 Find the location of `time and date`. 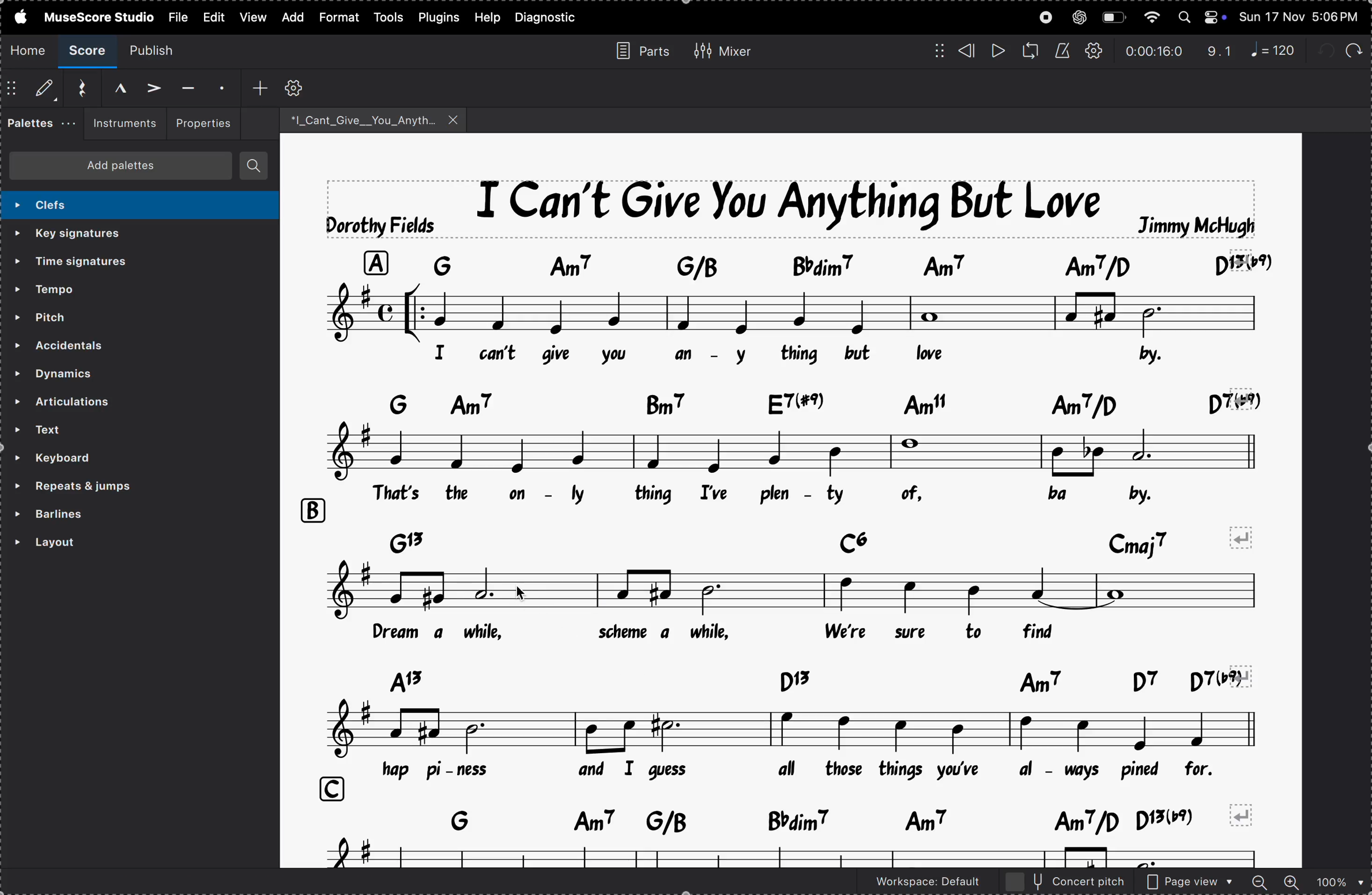

time and date is located at coordinates (1301, 14).